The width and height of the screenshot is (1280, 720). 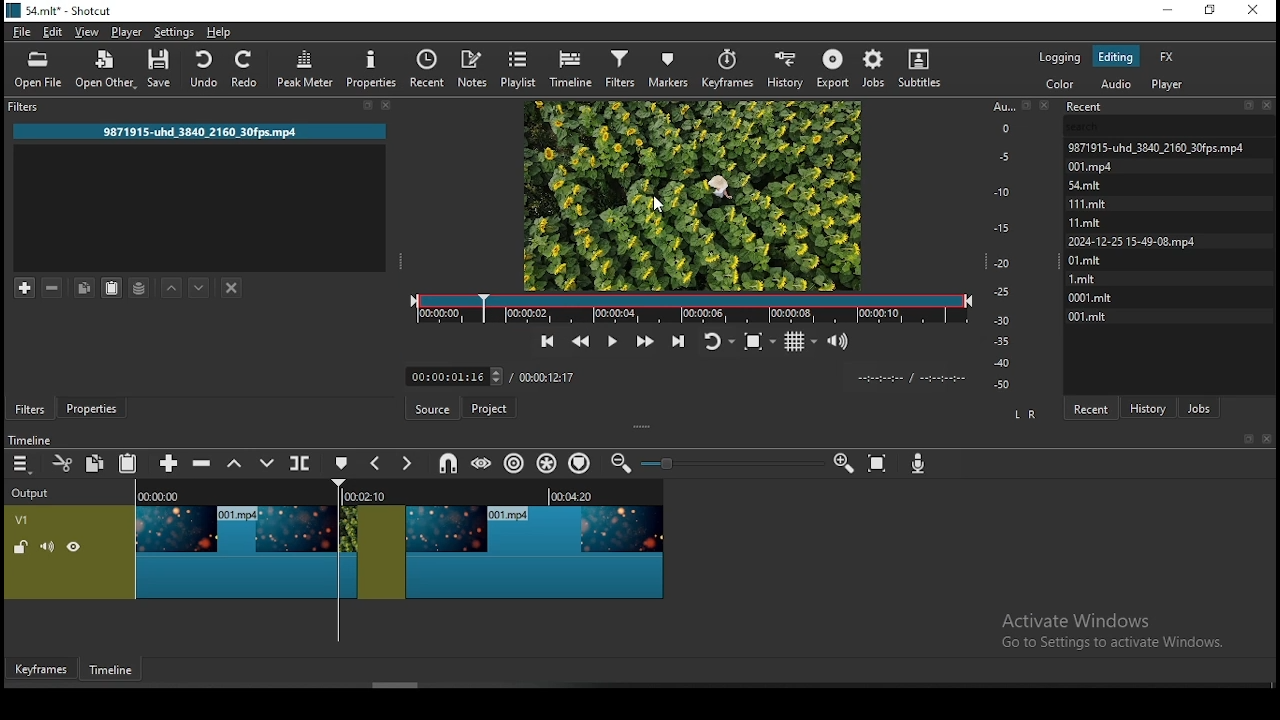 I want to click on copy, so click(x=84, y=288).